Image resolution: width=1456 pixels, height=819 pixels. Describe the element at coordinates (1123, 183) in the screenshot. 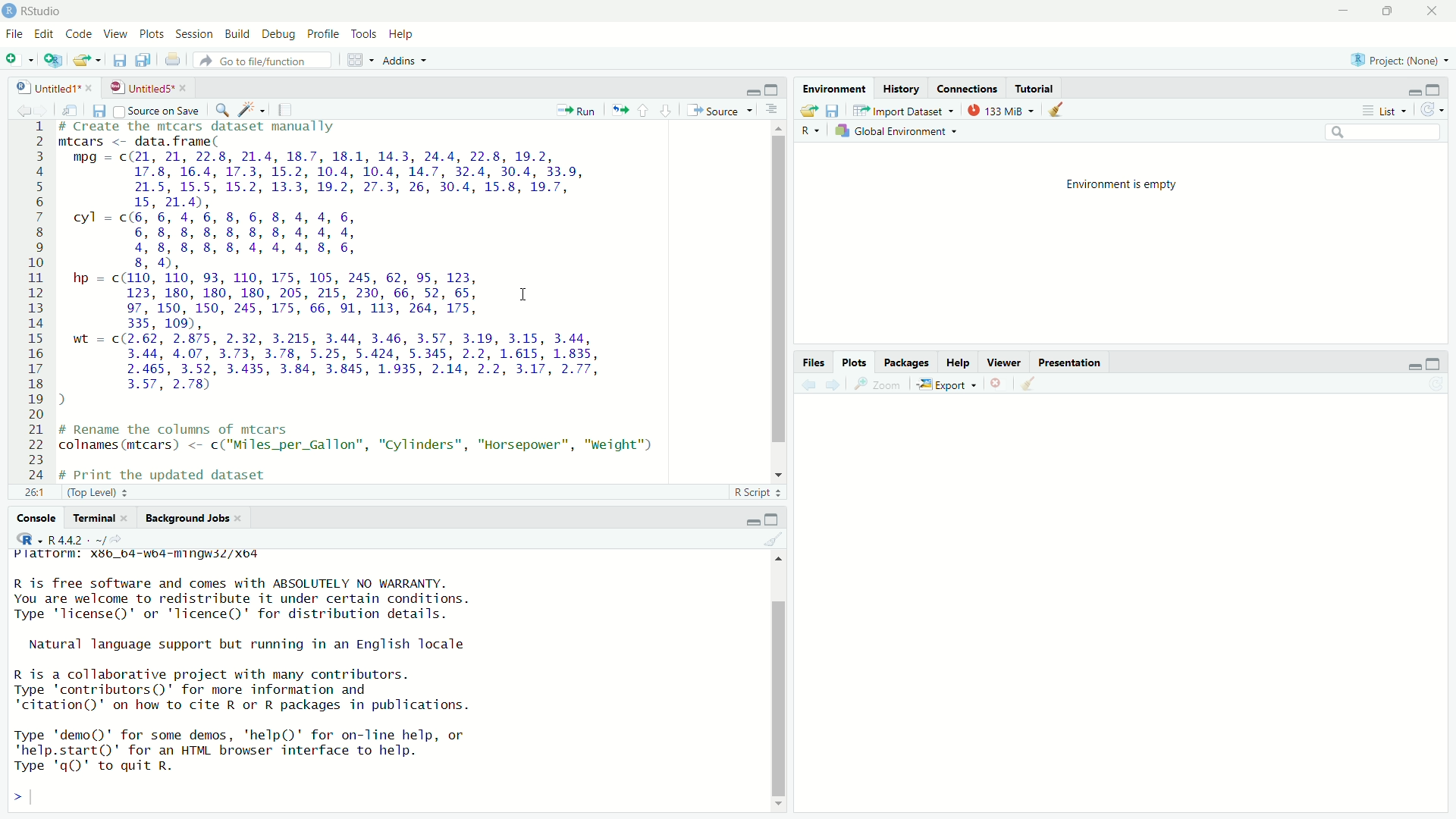

I see `Environment is empty` at that location.